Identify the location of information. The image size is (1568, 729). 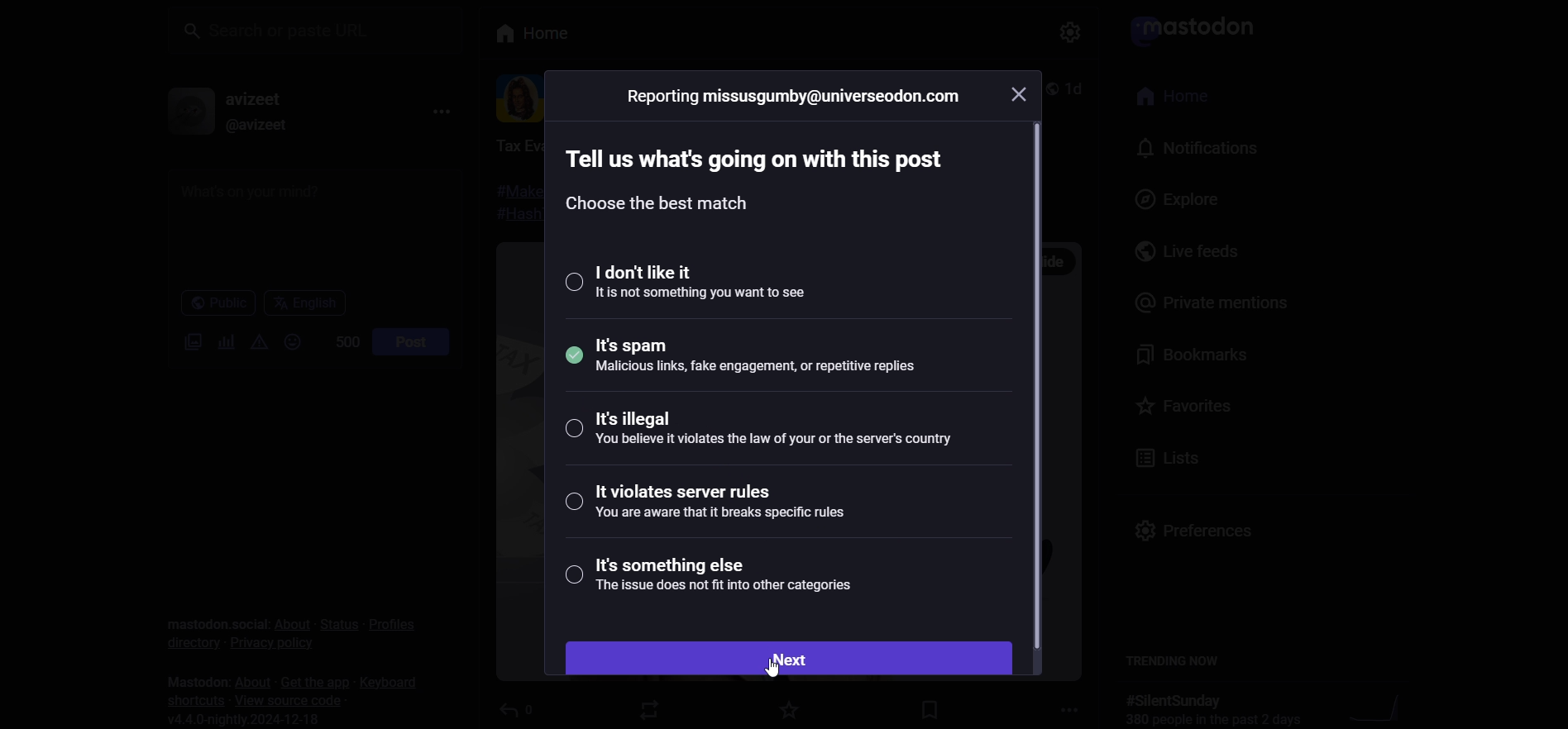
(794, 95).